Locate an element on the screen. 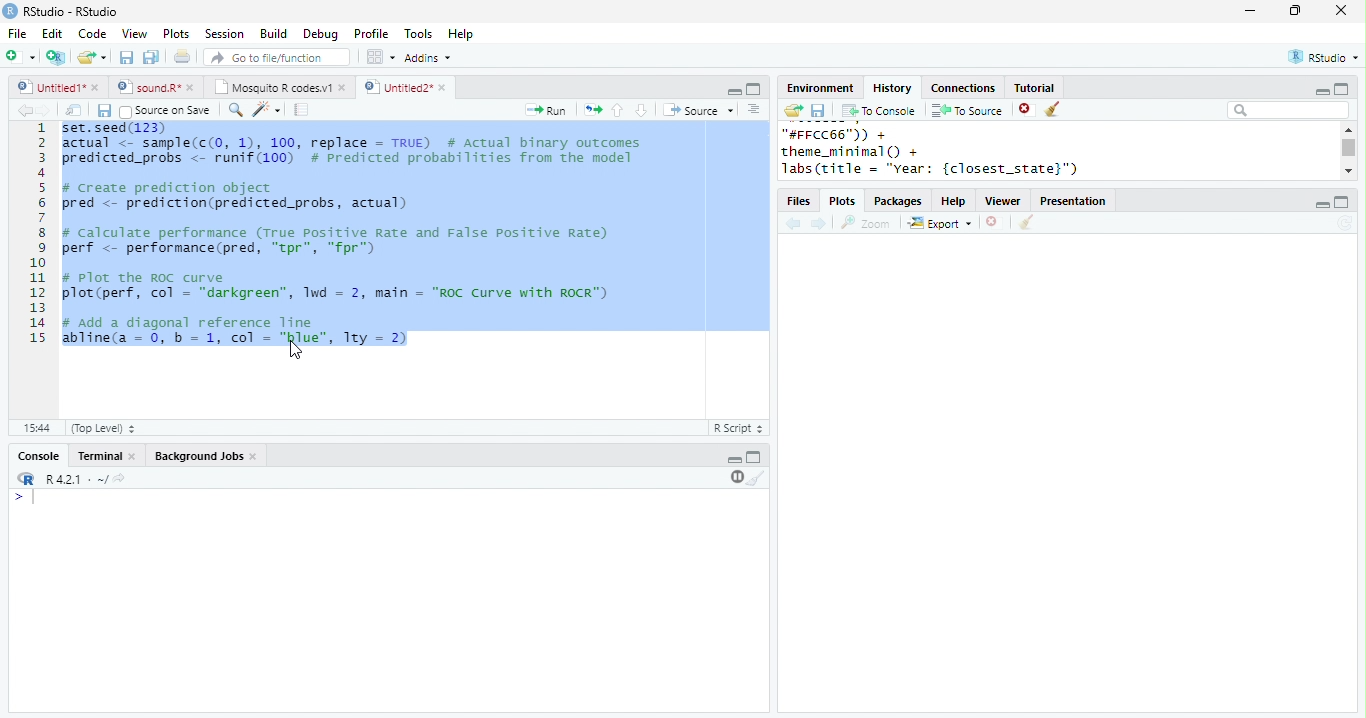 This screenshot has width=1366, height=718. To source is located at coordinates (967, 110).